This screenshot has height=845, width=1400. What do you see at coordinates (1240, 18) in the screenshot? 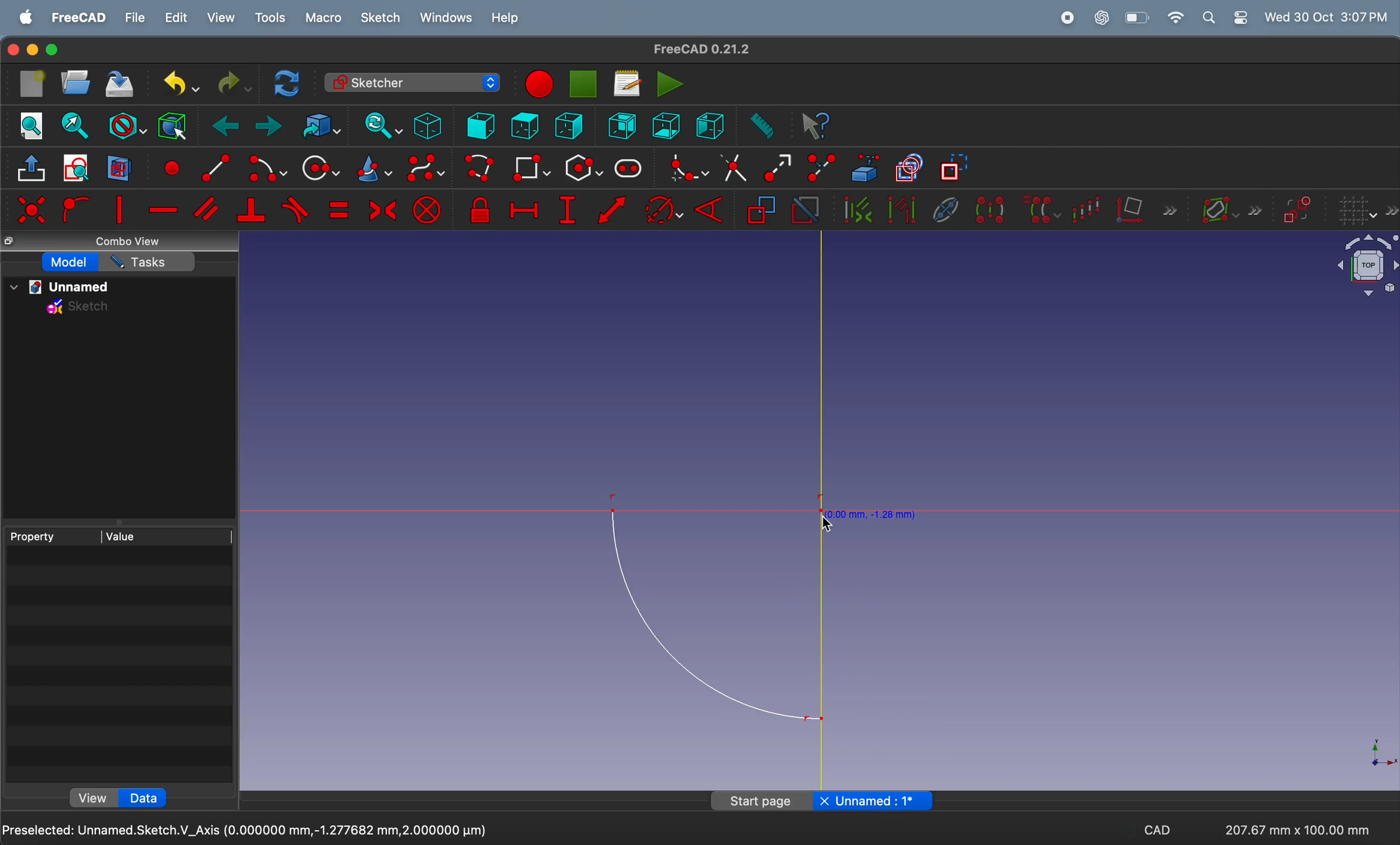
I see `settings` at bounding box center [1240, 18].